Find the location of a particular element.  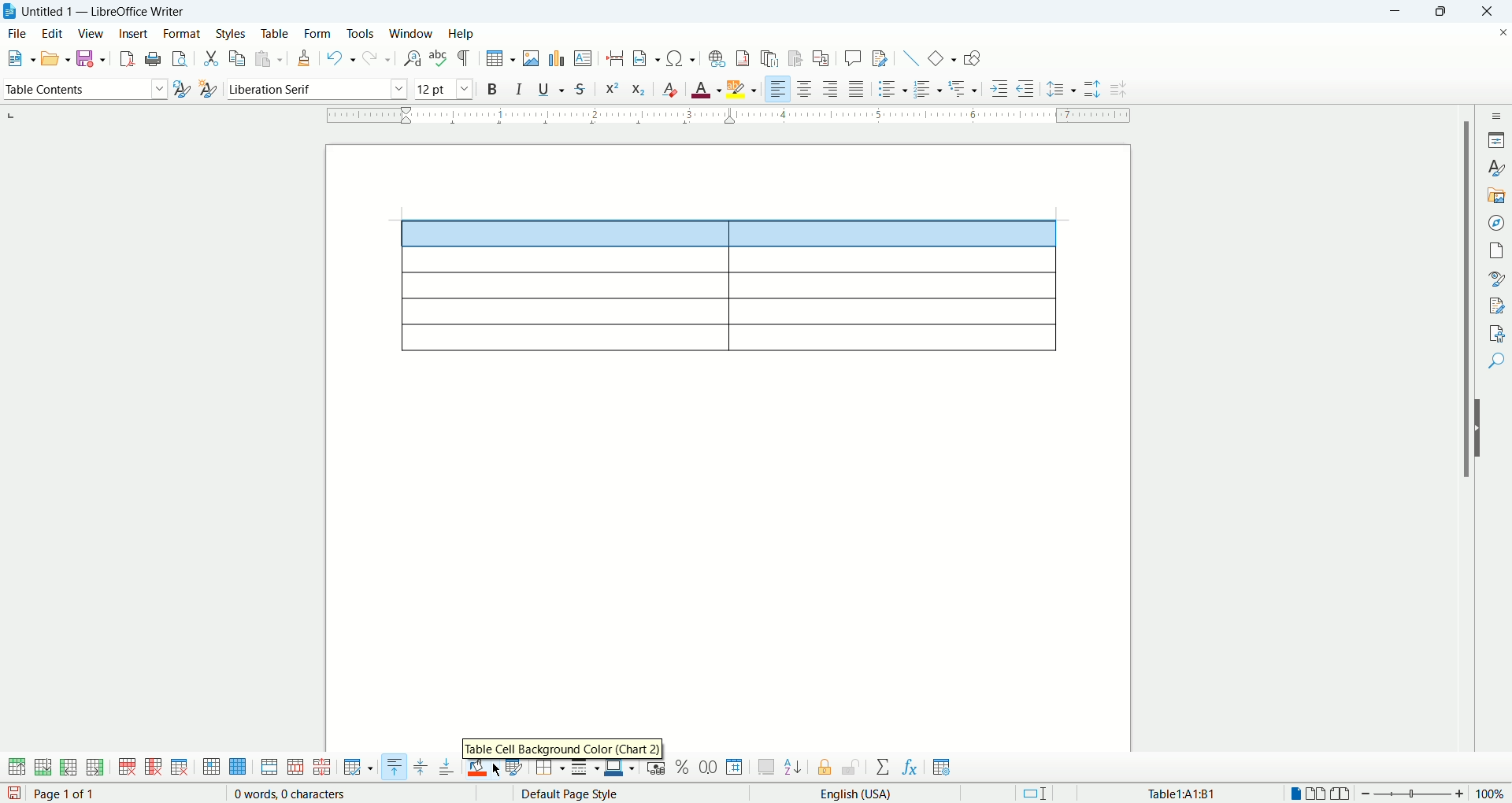

pragraph style is located at coordinates (83, 87).